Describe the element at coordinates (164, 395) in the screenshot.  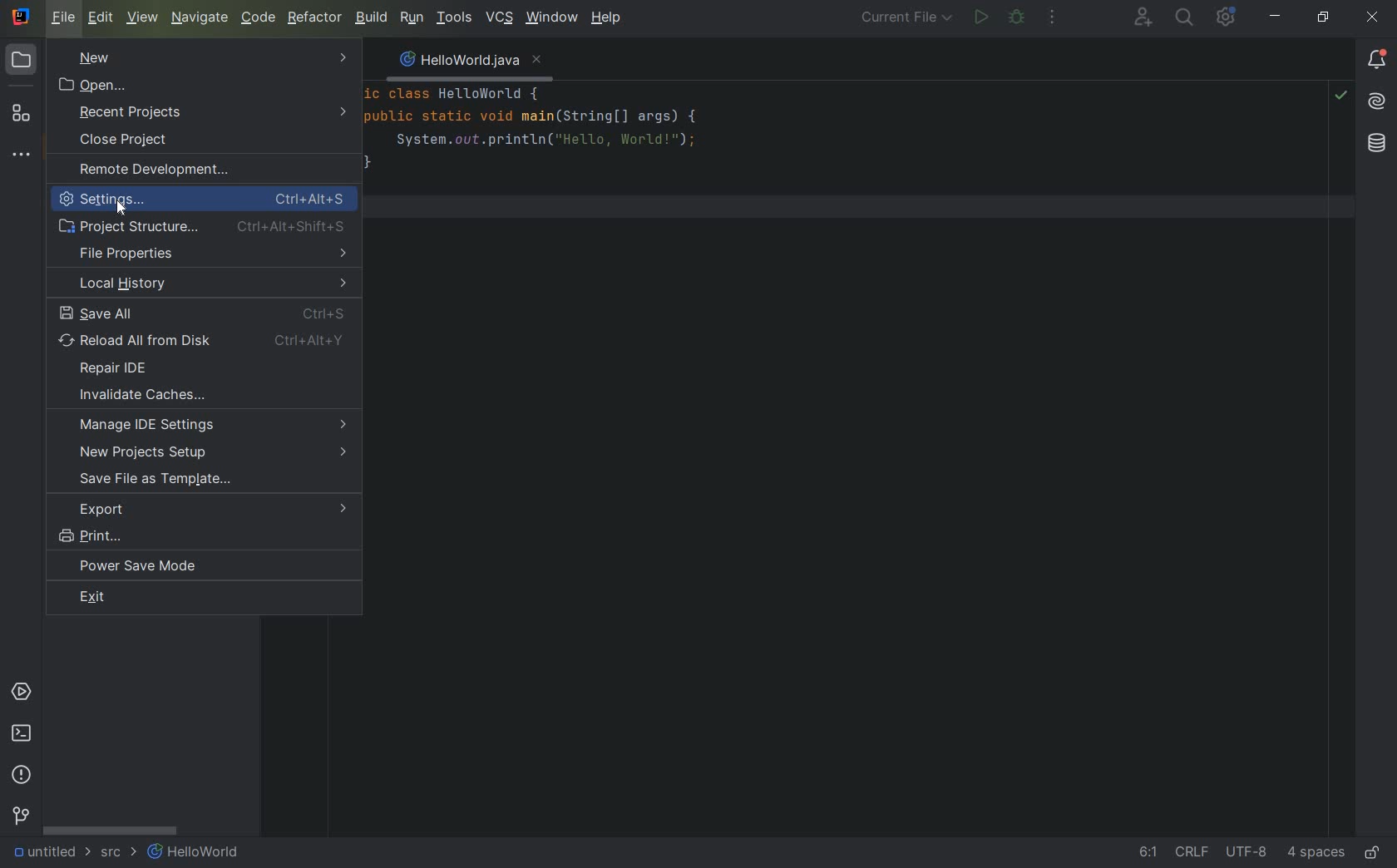
I see `invalidate caches` at that location.